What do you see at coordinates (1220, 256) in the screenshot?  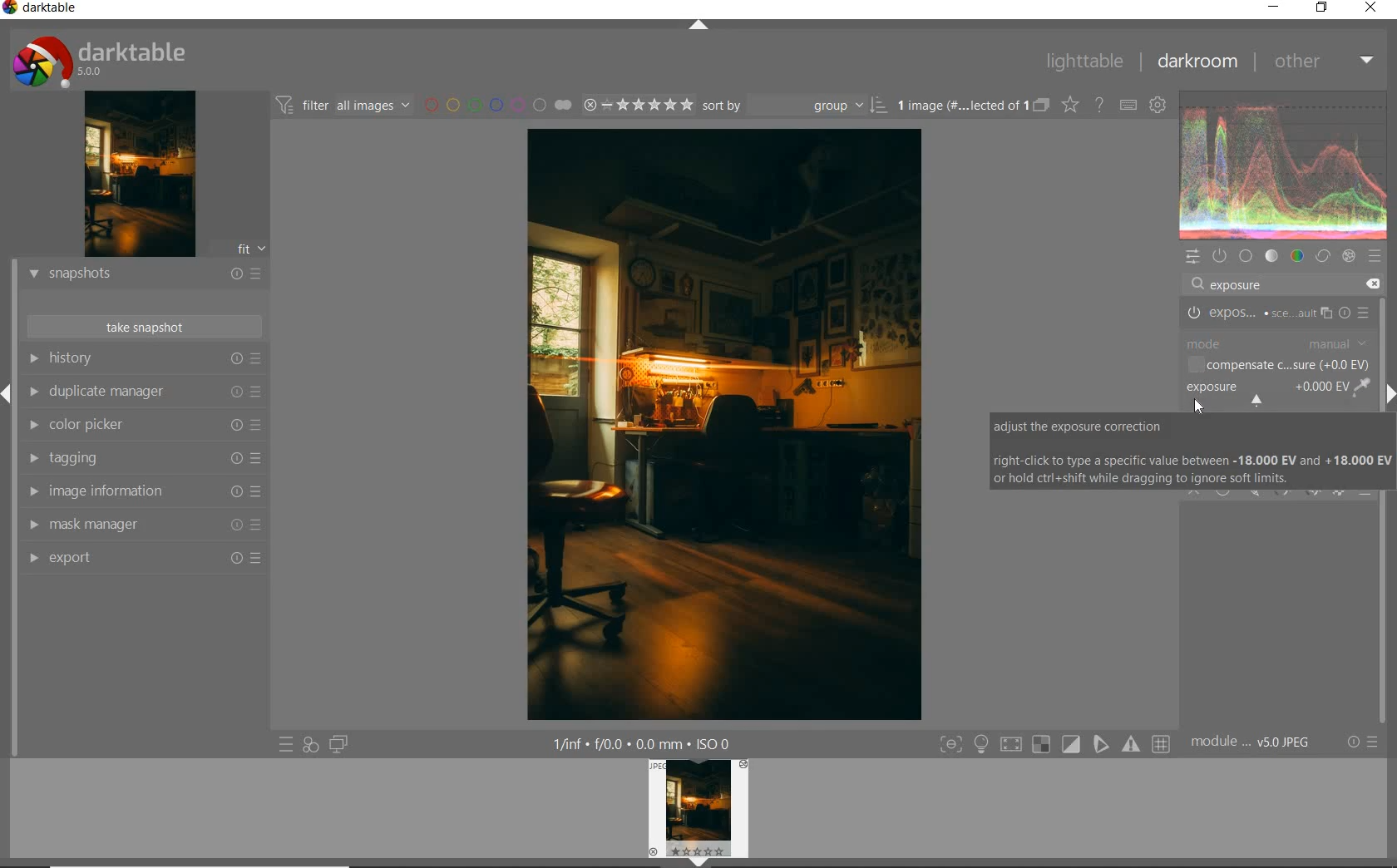 I see `show only active modules` at bounding box center [1220, 256].